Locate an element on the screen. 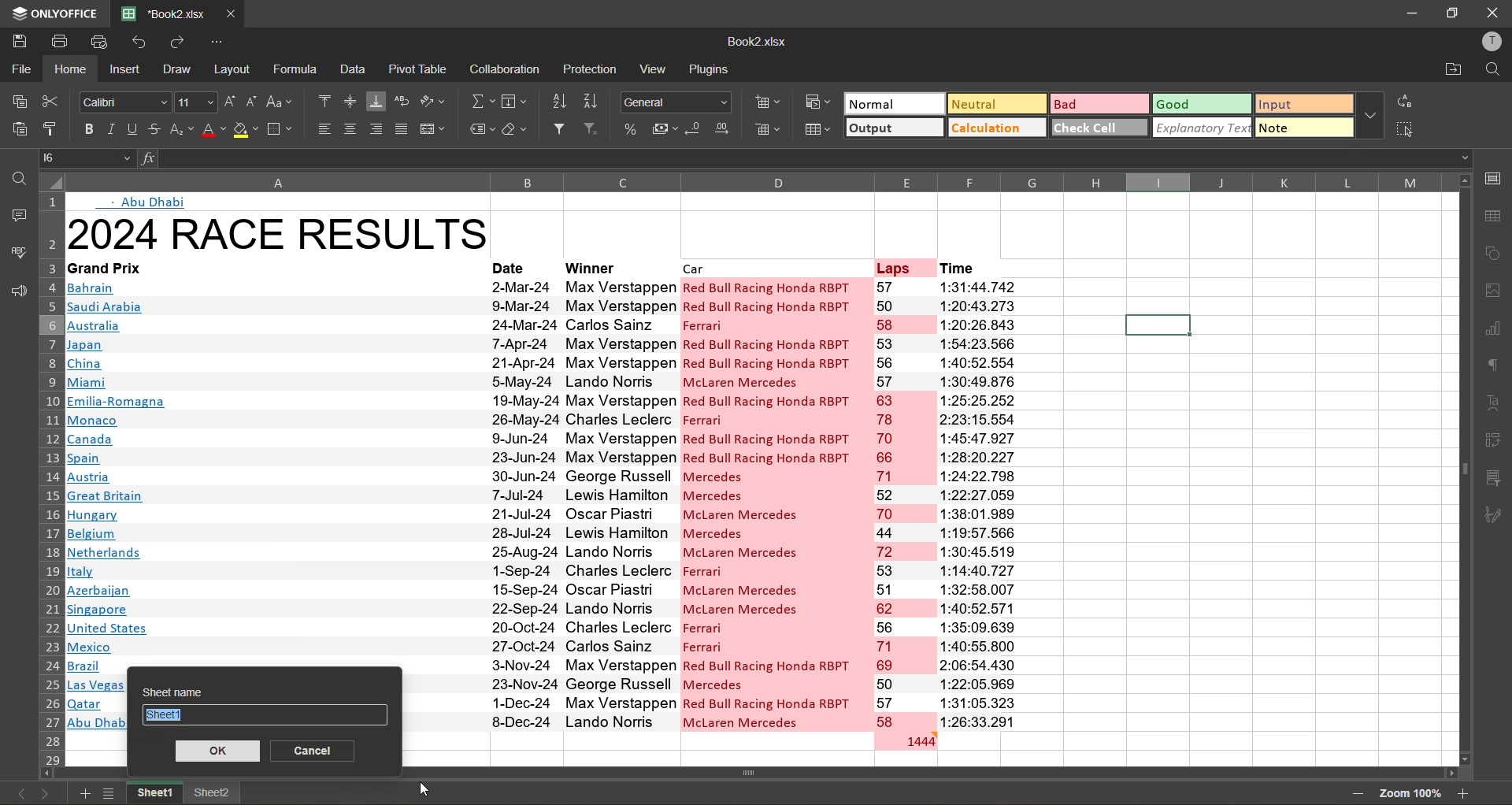 The width and height of the screenshot is (1512, 805). date is located at coordinates (520, 265).